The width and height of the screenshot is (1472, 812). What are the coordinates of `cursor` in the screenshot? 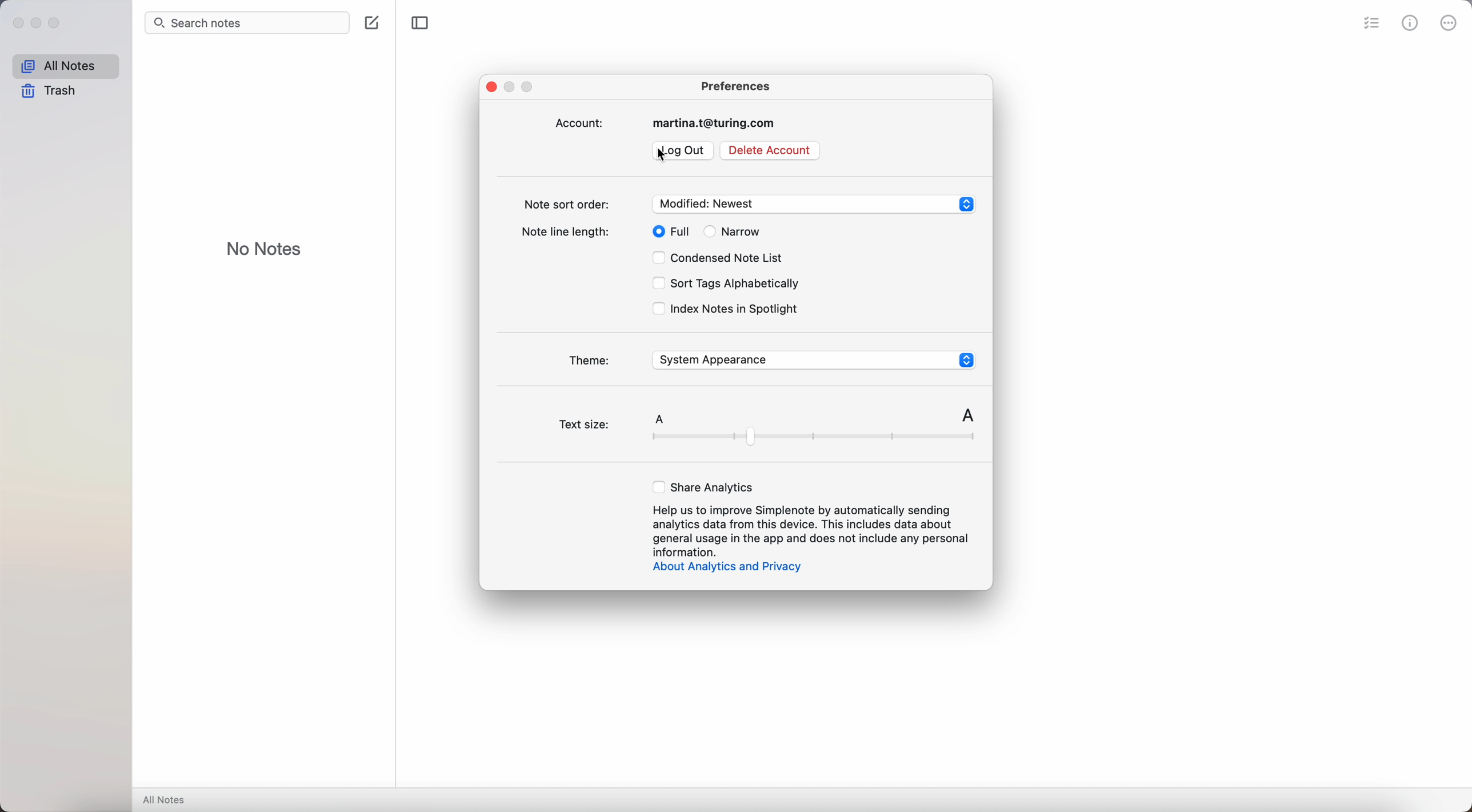 It's located at (658, 155).